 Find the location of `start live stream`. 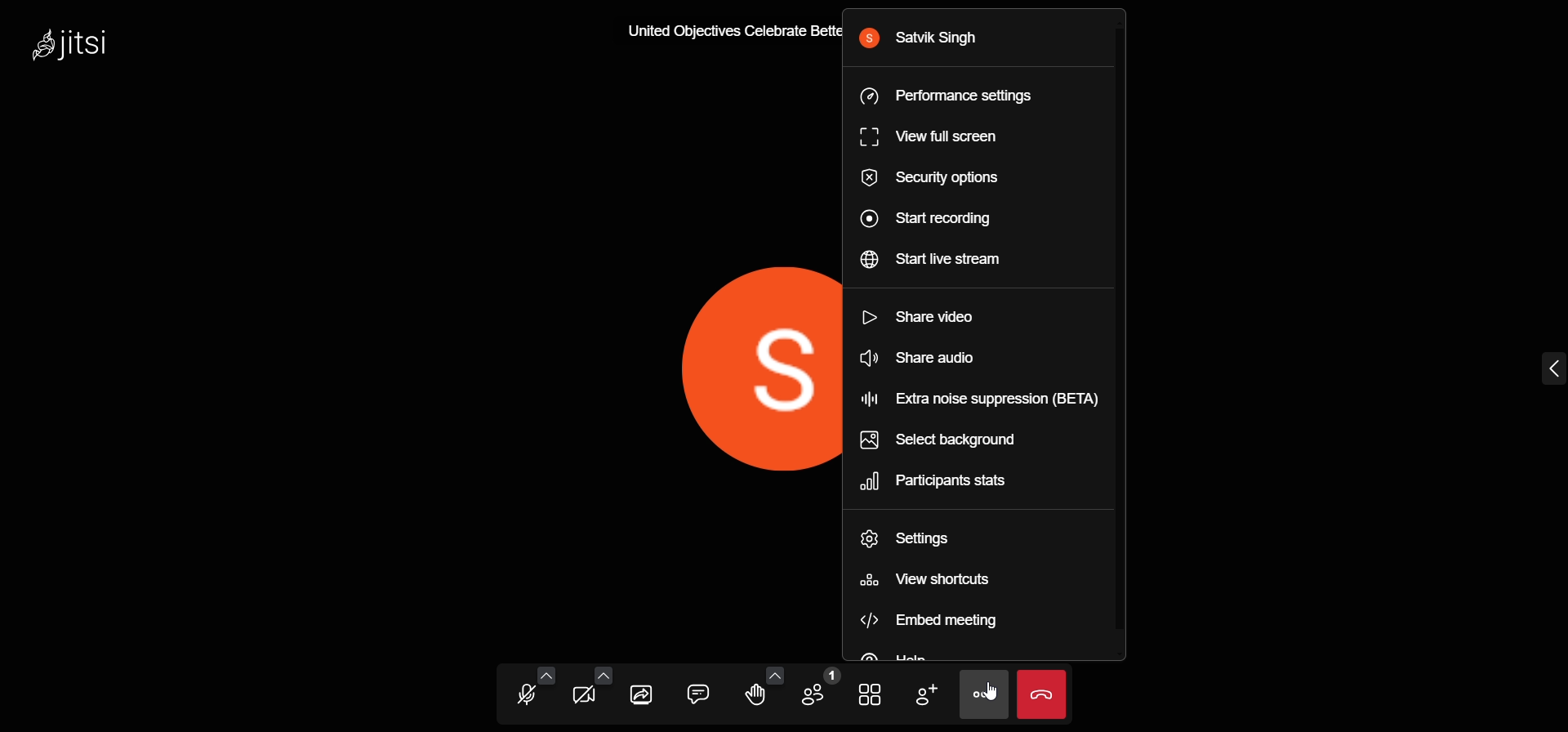

start live stream is located at coordinates (947, 260).